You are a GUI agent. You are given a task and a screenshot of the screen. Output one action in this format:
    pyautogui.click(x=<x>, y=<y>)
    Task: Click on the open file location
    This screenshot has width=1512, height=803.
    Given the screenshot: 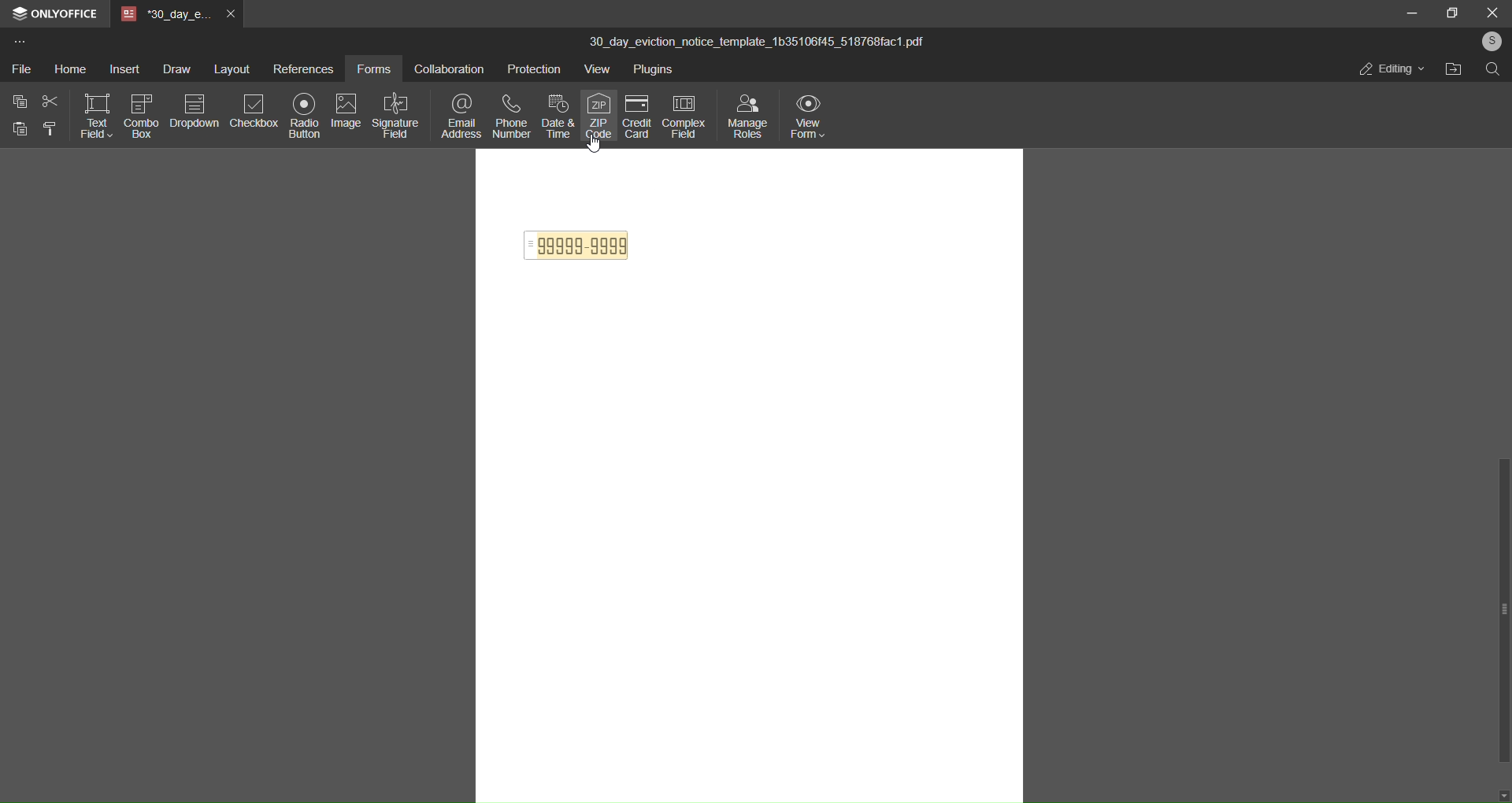 What is the action you would take?
    pyautogui.click(x=1449, y=70)
    